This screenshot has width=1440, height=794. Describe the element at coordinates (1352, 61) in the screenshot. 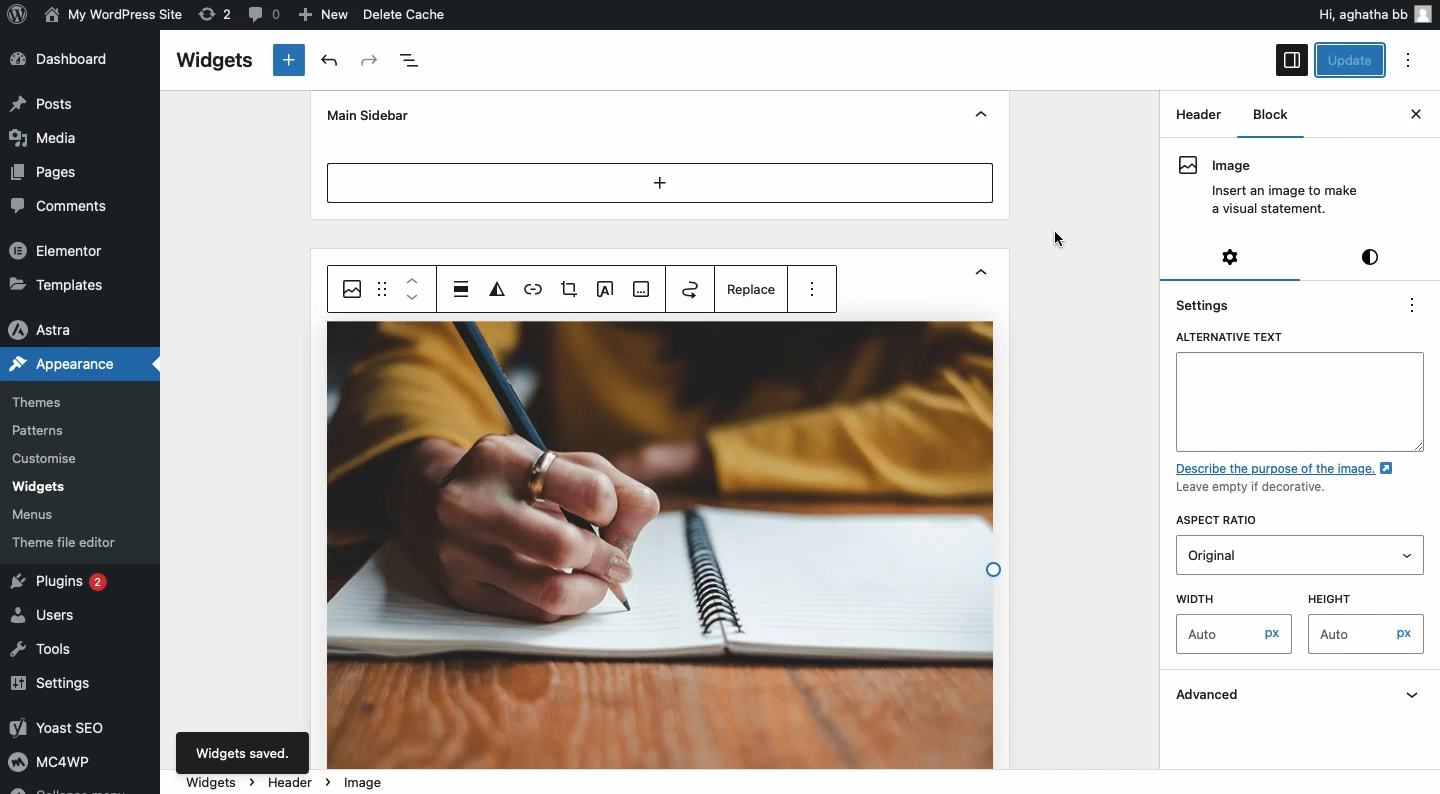

I see `Click update` at that location.